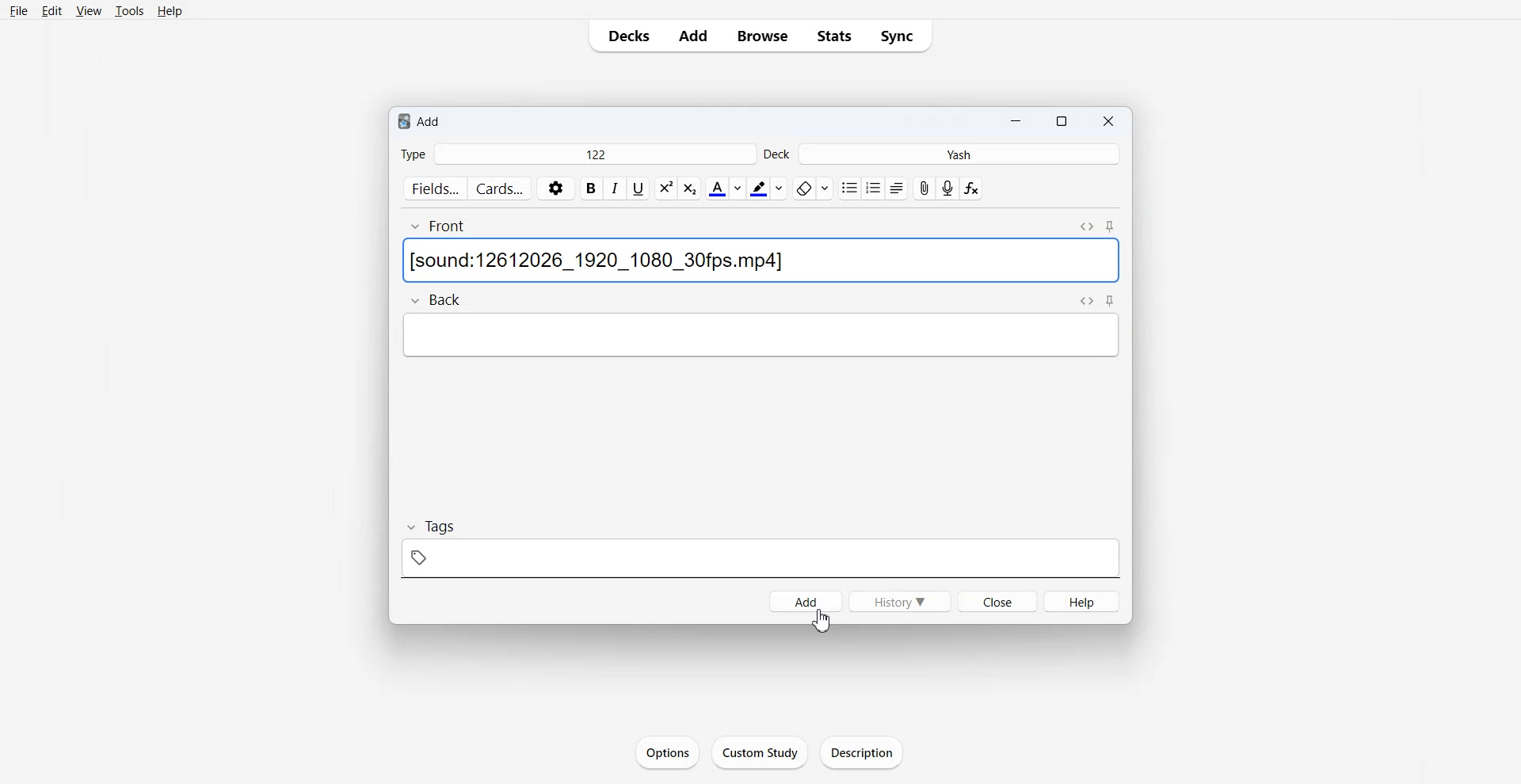 This screenshot has height=784, width=1521. What do you see at coordinates (1087, 227) in the screenshot?
I see `Toggle HTML` at bounding box center [1087, 227].